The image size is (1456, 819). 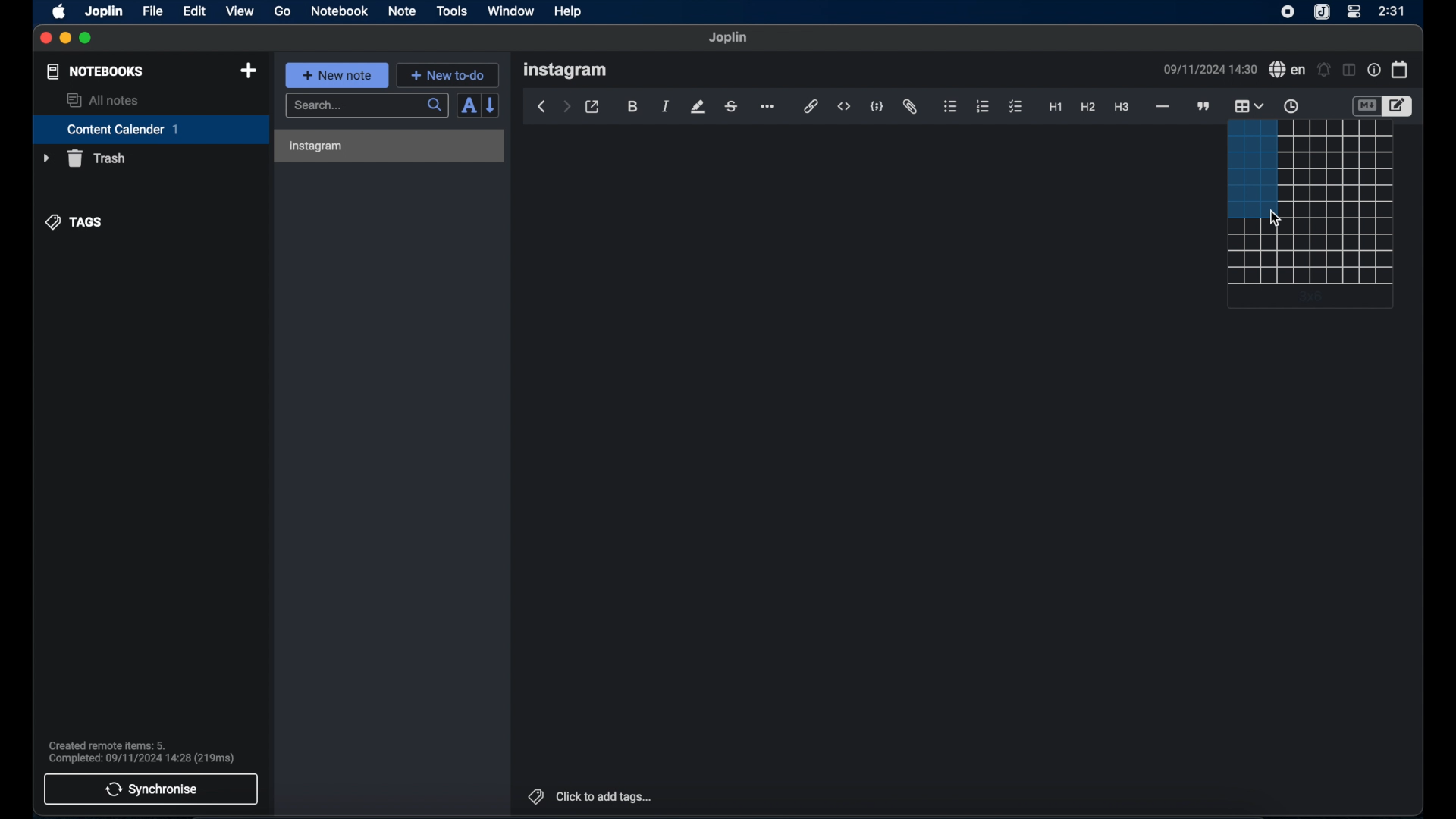 What do you see at coordinates (1056, 108) in the screenshot?
I see `heading 1` at bounding box center [1056, 108].